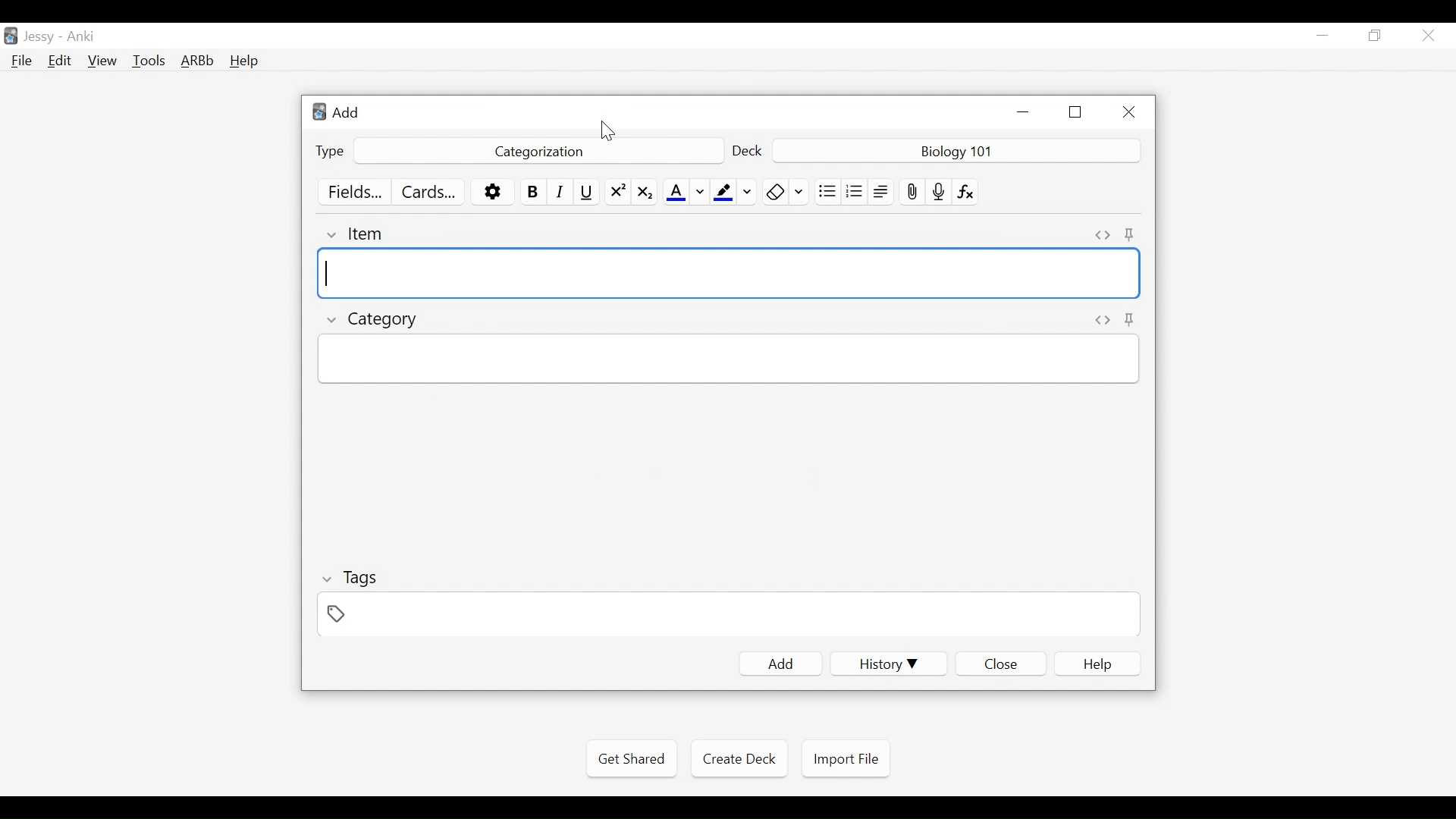 The image size is (1456, 819). What do you see at coordinates (607, 130) in the screenshot?
I see `Cursor` at bounding box center [607, 130].